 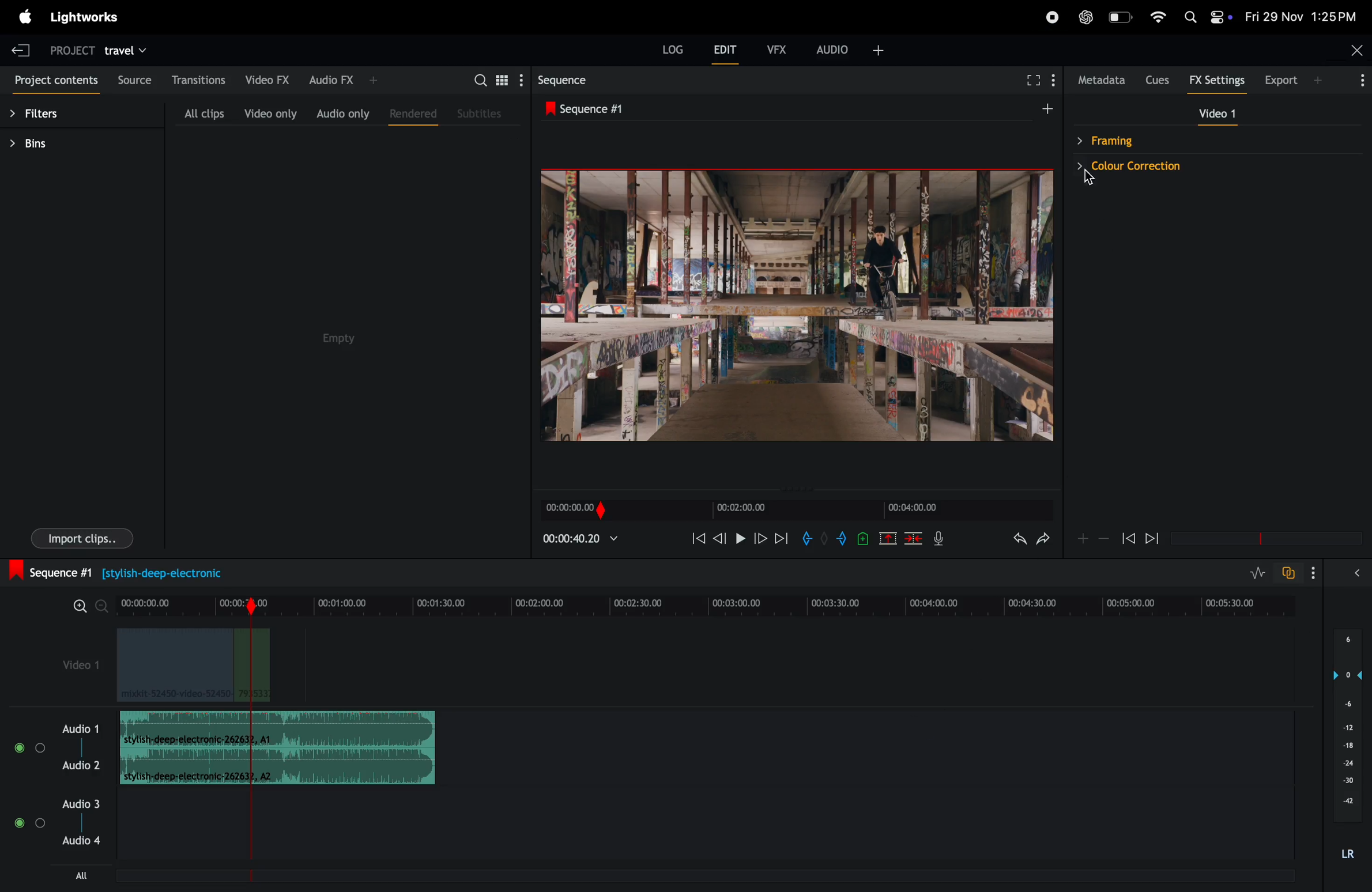 What do you see at coordinates (341, 112) in the screenshot?
I see `audio only` at bounding box center [341, 112].